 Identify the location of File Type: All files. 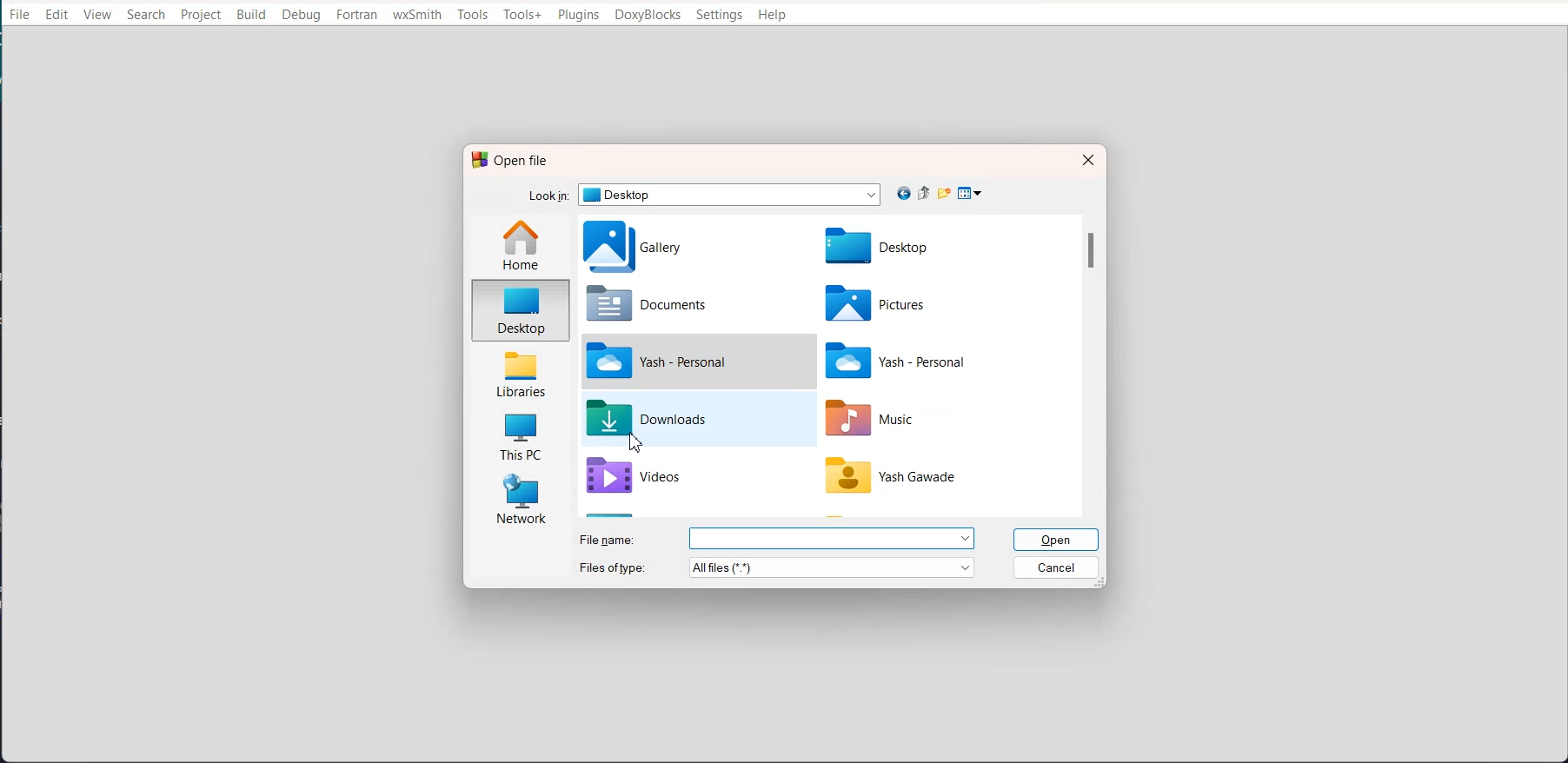
(778, 567).